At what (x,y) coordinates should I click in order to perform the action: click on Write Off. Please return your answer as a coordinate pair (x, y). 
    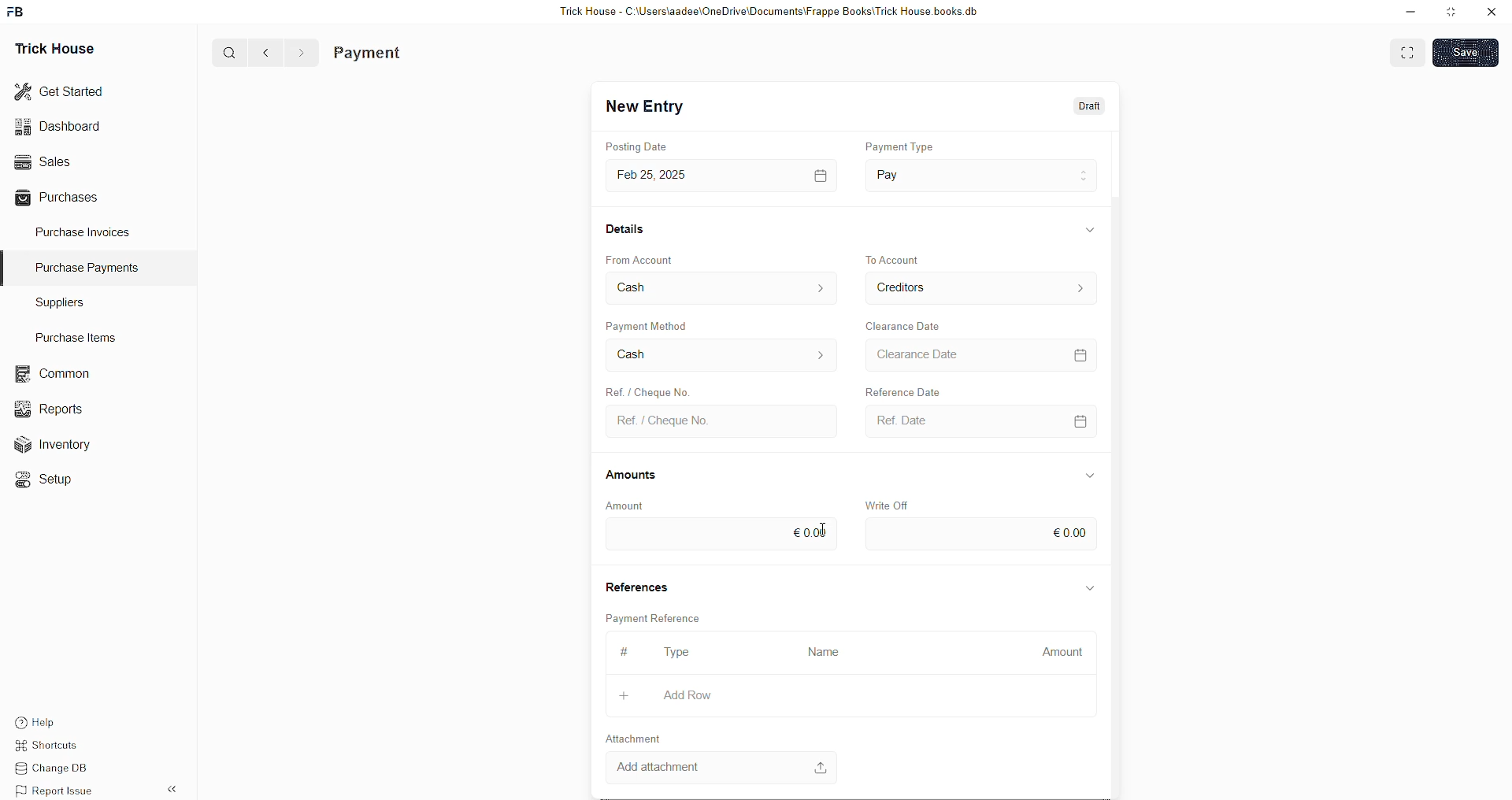
    Looking at the image, I should click on (884, 503).